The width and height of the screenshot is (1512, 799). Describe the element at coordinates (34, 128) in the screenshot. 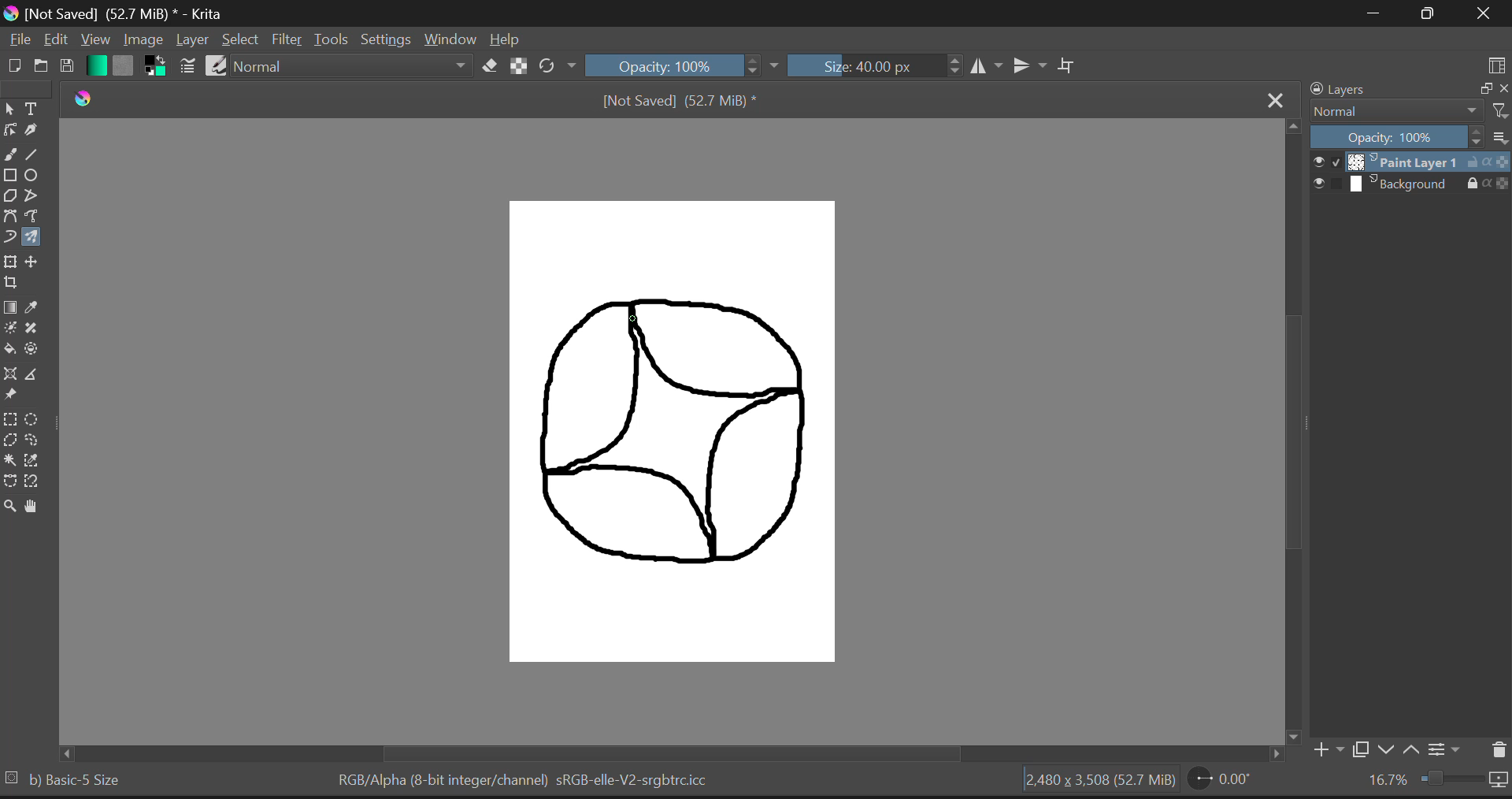

I see `Calligraphic Tool` at that location.